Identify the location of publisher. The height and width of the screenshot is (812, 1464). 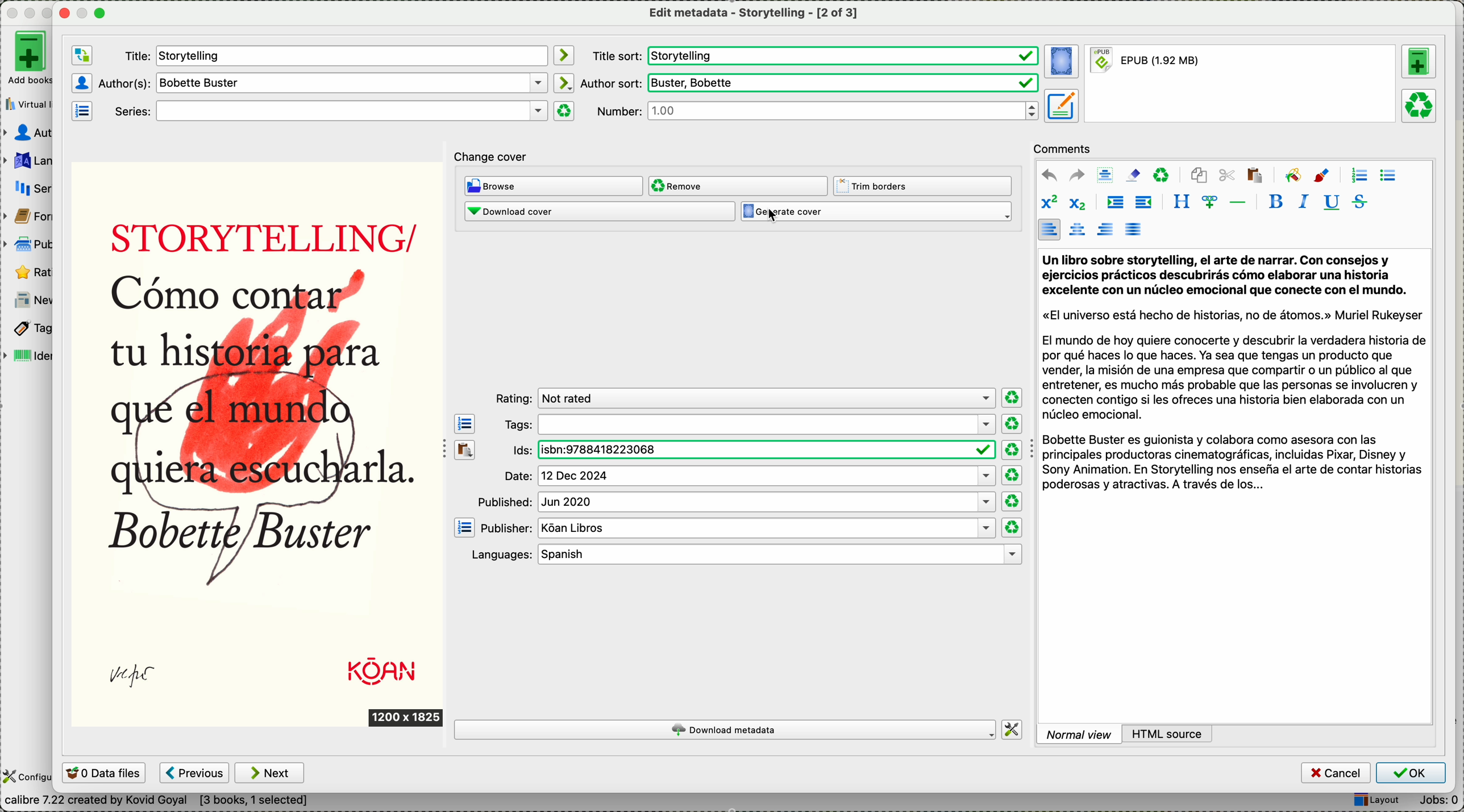
(30, 244).